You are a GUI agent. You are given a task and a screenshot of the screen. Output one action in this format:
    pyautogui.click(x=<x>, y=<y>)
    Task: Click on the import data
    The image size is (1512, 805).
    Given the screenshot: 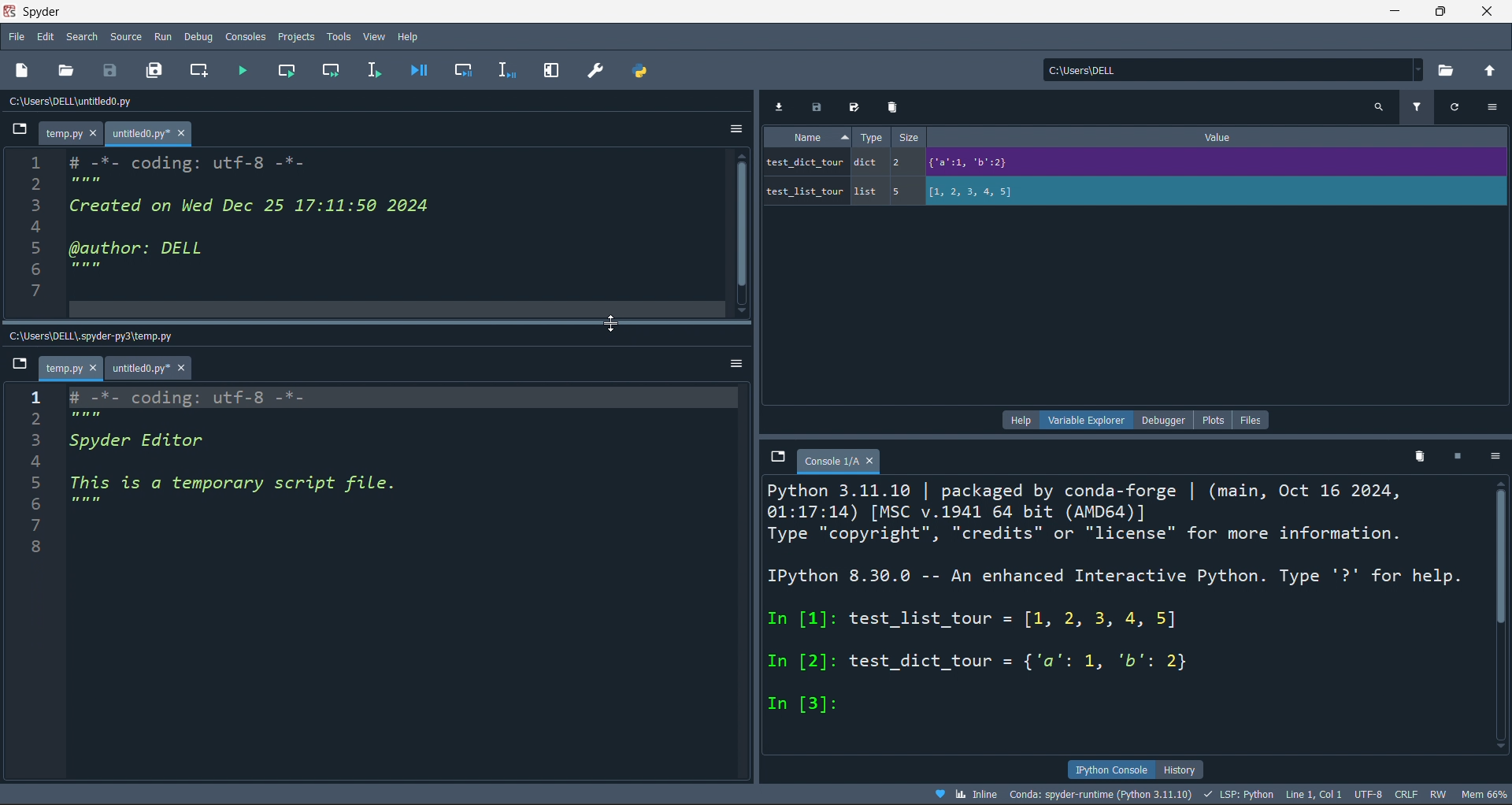 What is the action you would take?
    pyautogui.click(x=781, y=106)
    